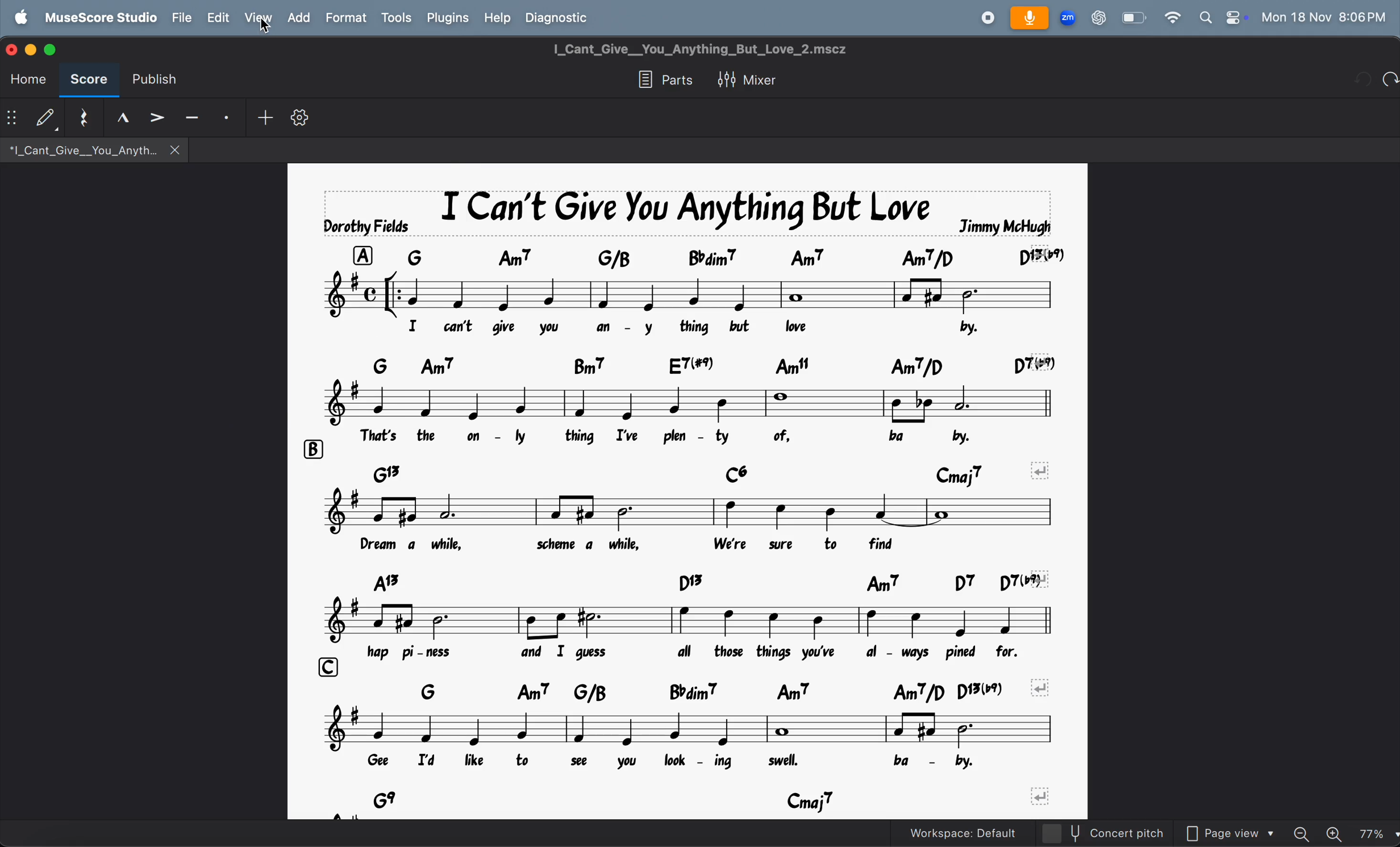 The image size is (1400, 847). I want to click on notes, so click(688, 728).